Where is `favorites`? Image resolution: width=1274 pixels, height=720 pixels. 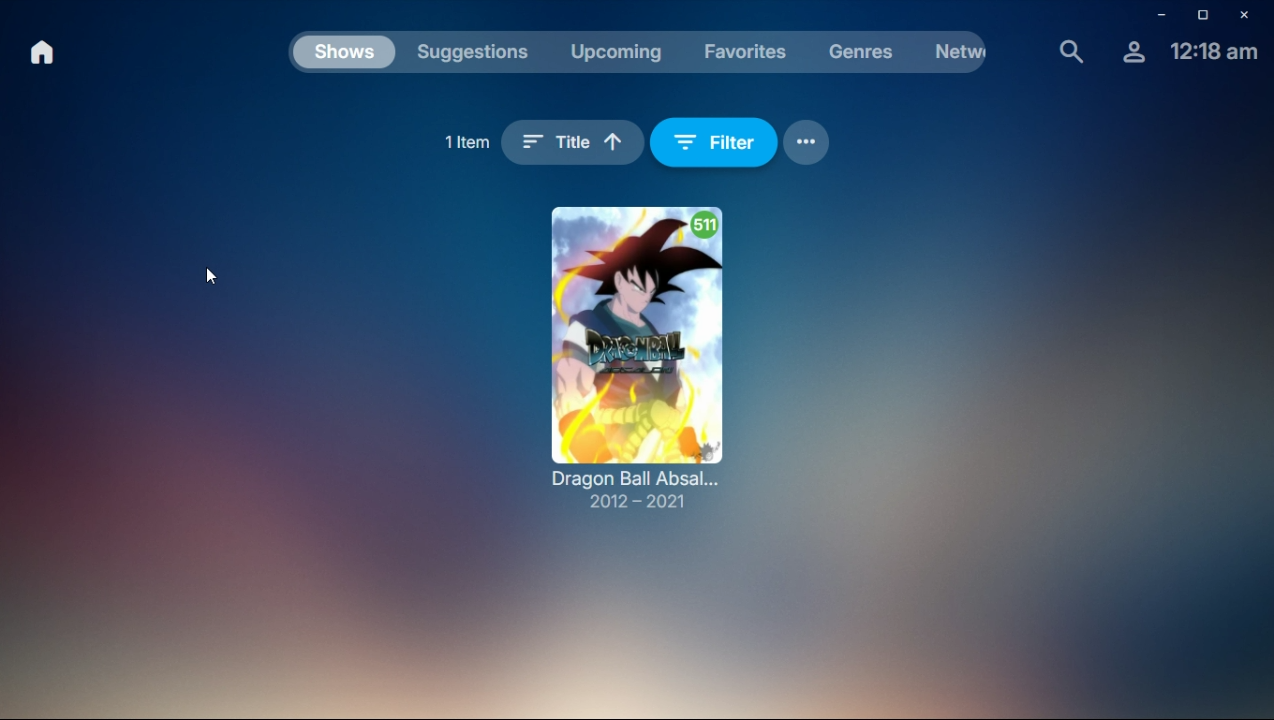 favorites is located at coordinates (745, 51).